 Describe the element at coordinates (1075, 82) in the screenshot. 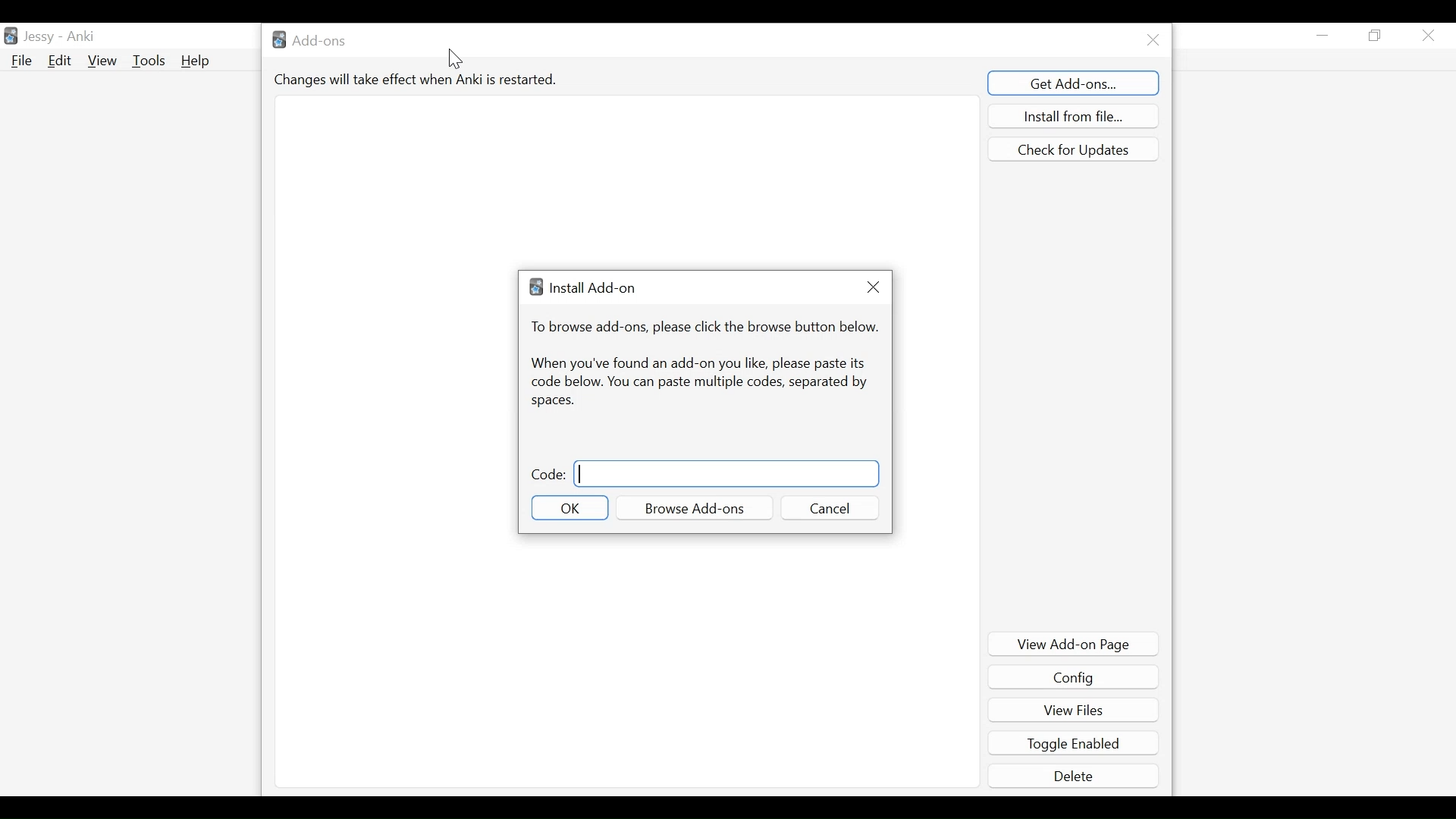

I see `Get Add-ons` at that location.